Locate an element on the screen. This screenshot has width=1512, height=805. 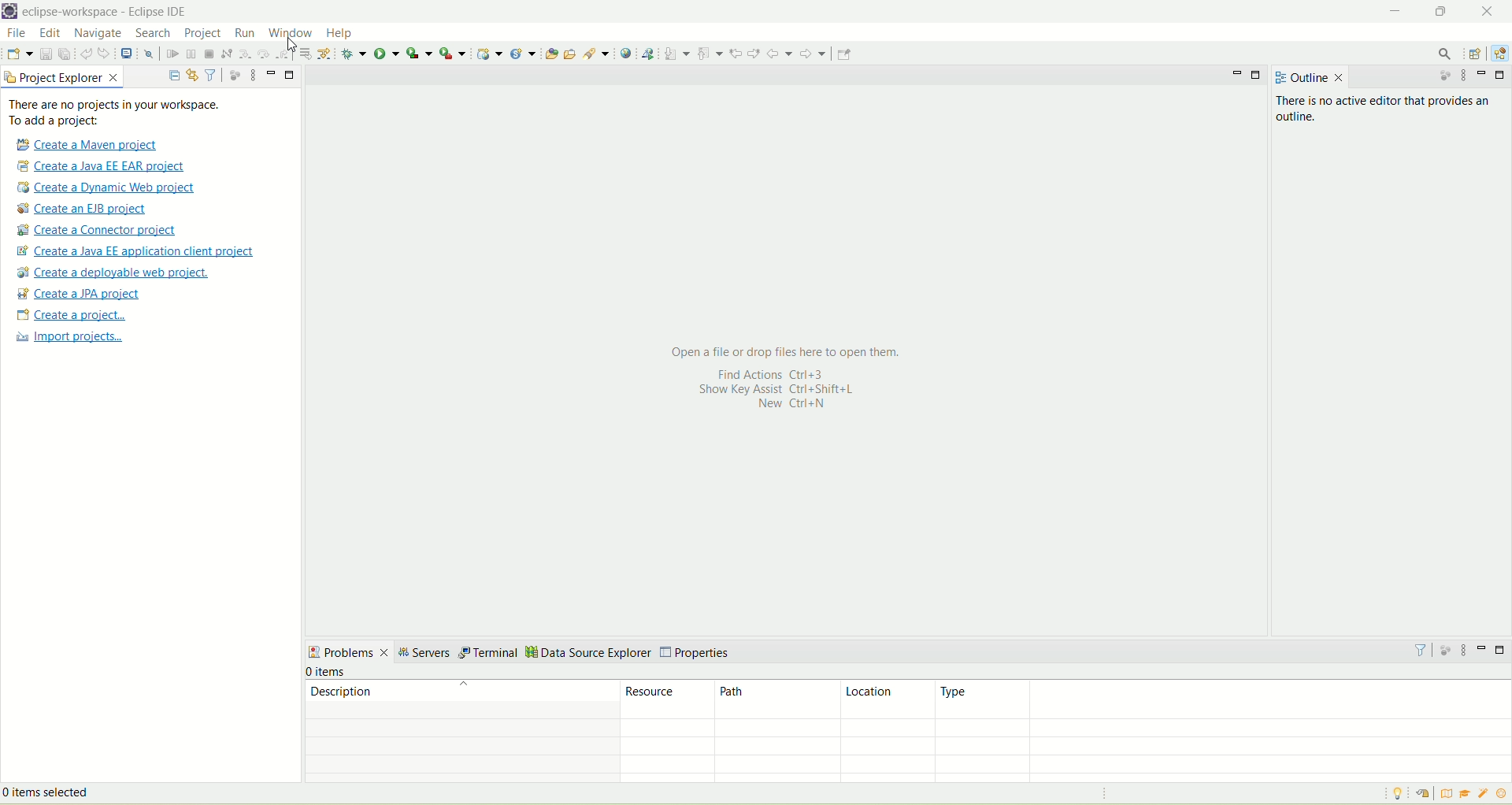
create a project is located at coordinates (69, 315).